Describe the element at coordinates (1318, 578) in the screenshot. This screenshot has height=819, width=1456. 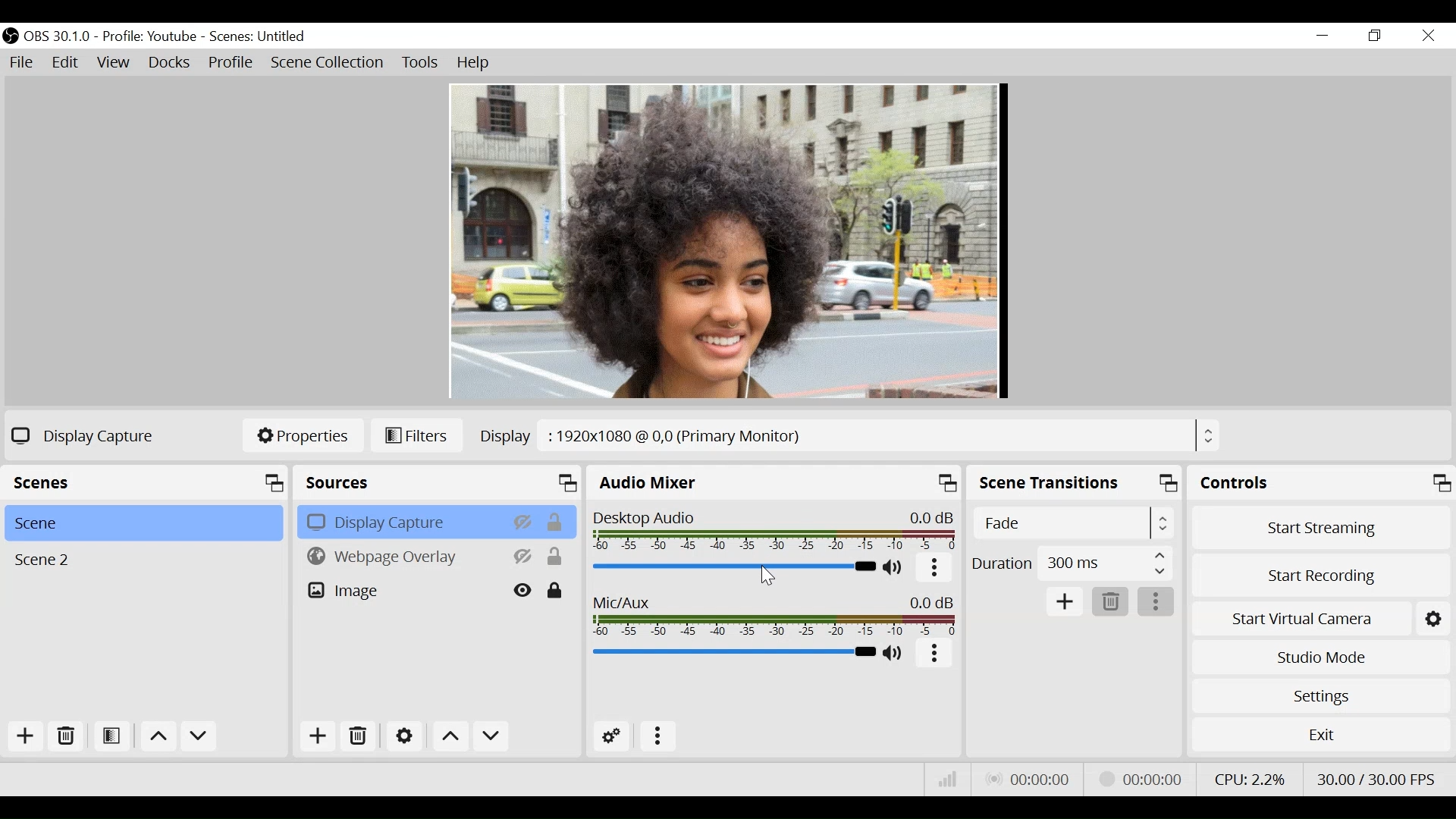
I see `Start Recording` at that location.